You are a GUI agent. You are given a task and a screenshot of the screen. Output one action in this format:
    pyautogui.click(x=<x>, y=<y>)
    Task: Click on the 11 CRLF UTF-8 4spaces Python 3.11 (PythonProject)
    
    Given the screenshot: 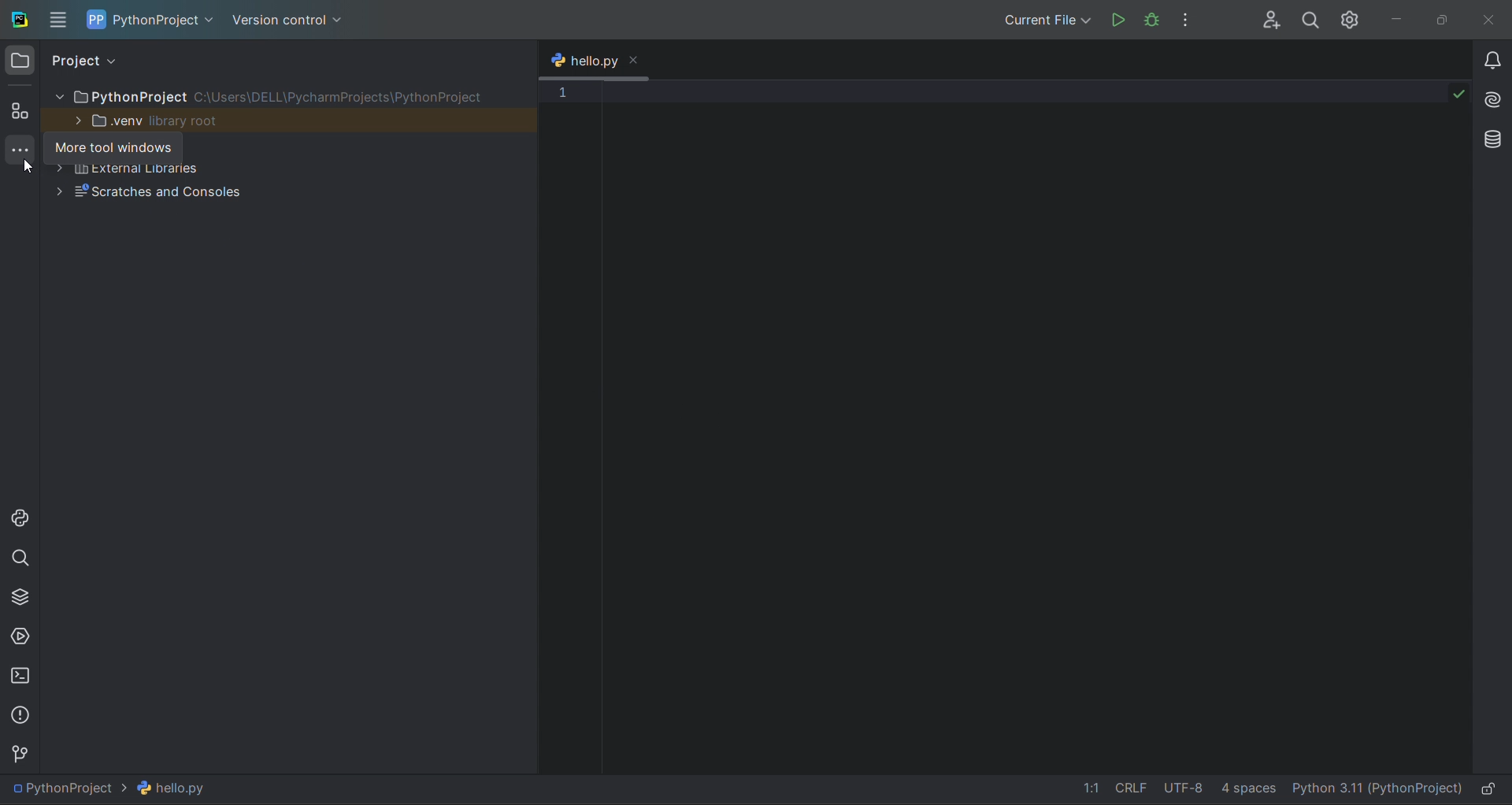 What is the action you would take?
    pyautogui.click(x=1273, y=789)
    